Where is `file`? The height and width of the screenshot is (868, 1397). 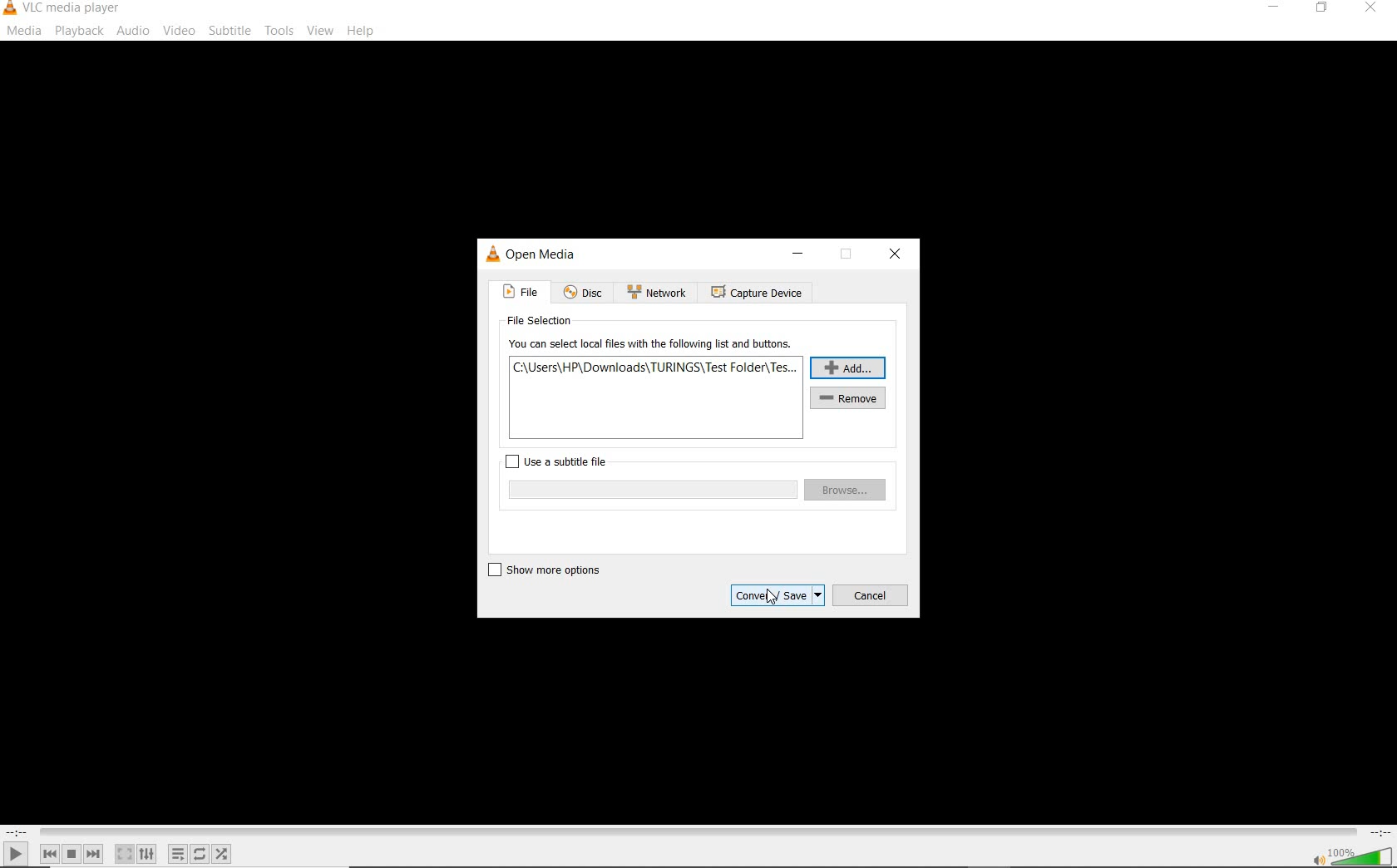 file is located at coordinates (520, 291).